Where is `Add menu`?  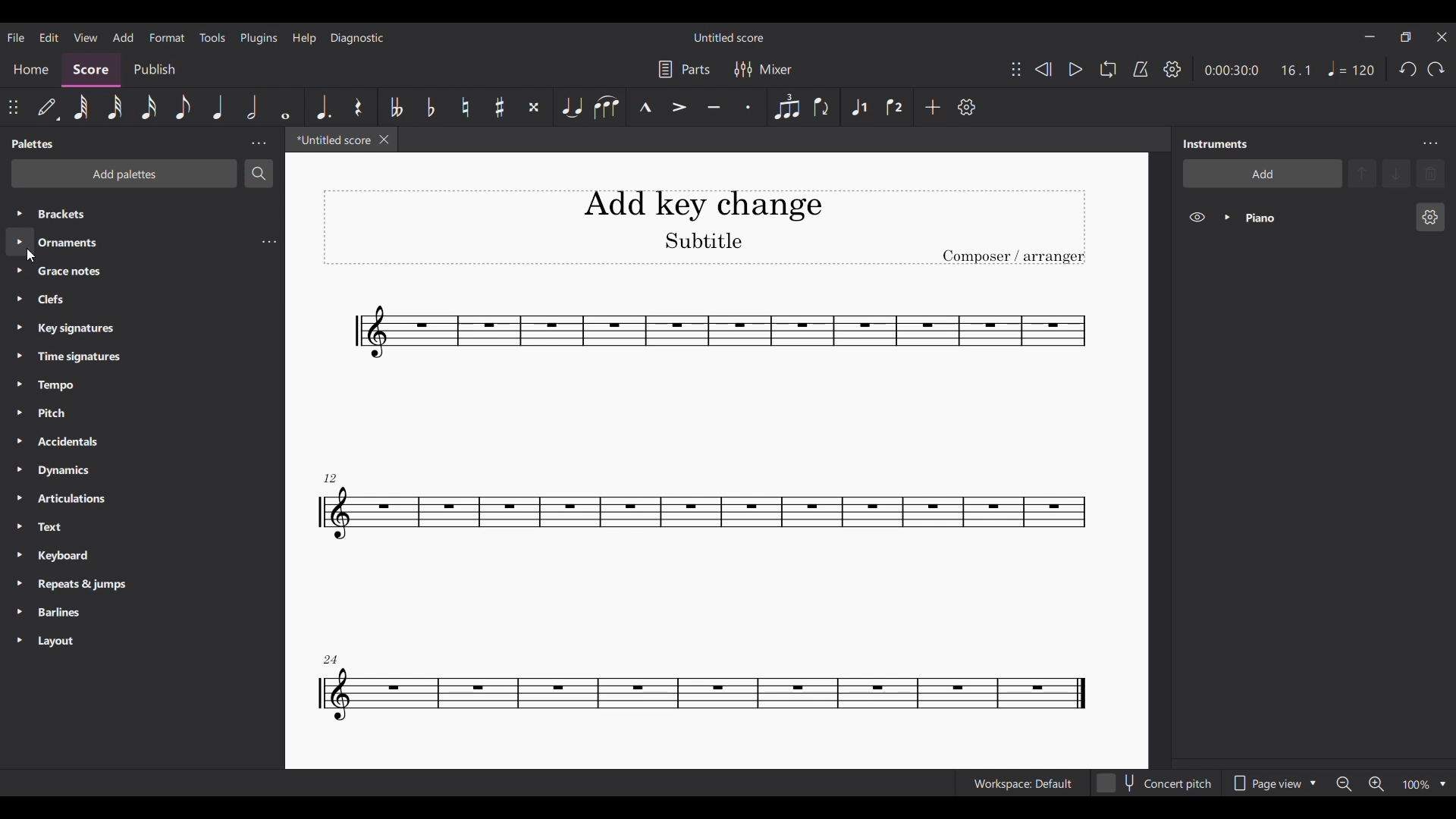
Add menu is located at coordinates (124, 36).